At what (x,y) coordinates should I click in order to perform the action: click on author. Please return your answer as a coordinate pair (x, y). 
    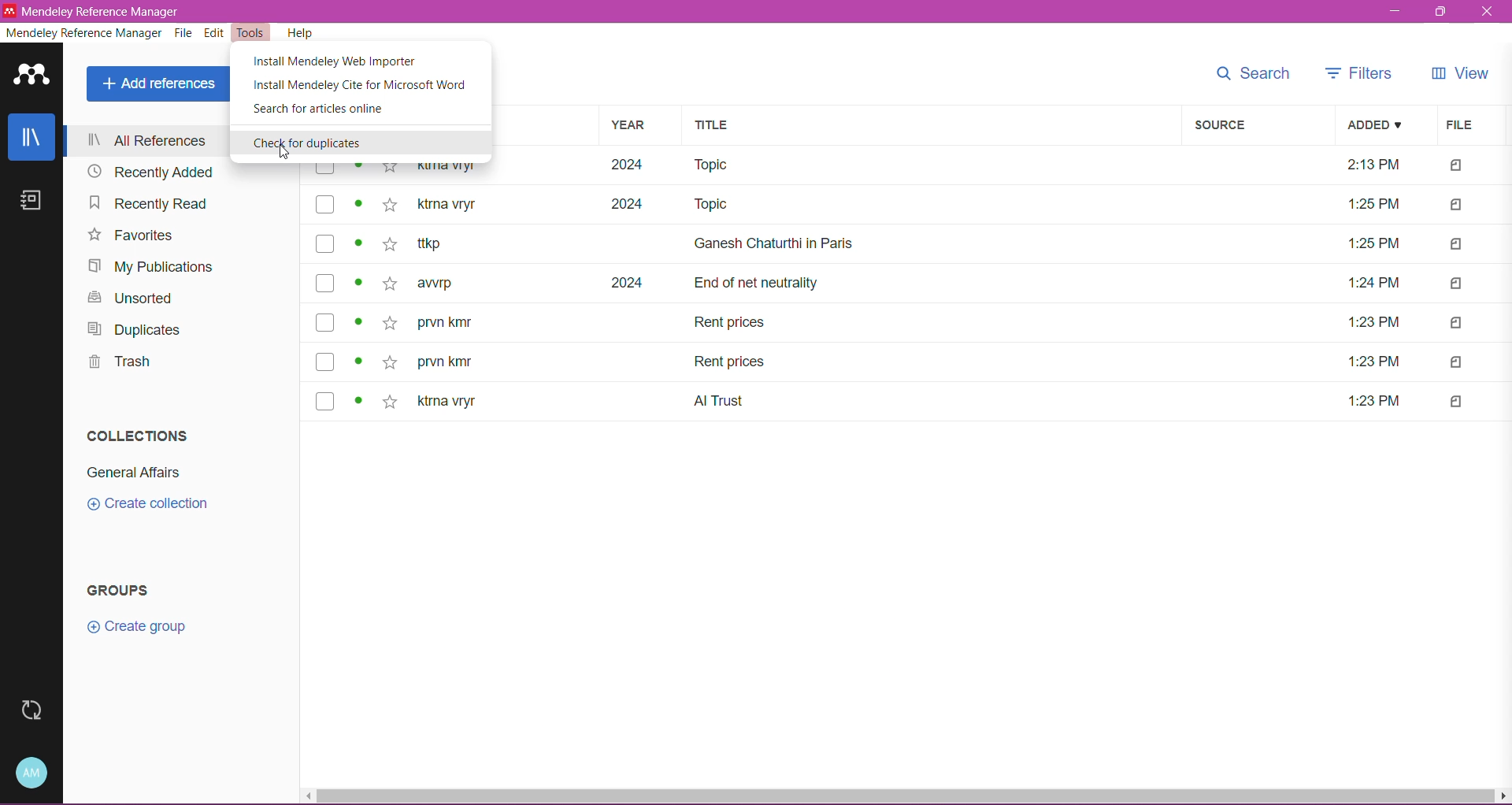
    Looking at the image, I should click on (448, 327).